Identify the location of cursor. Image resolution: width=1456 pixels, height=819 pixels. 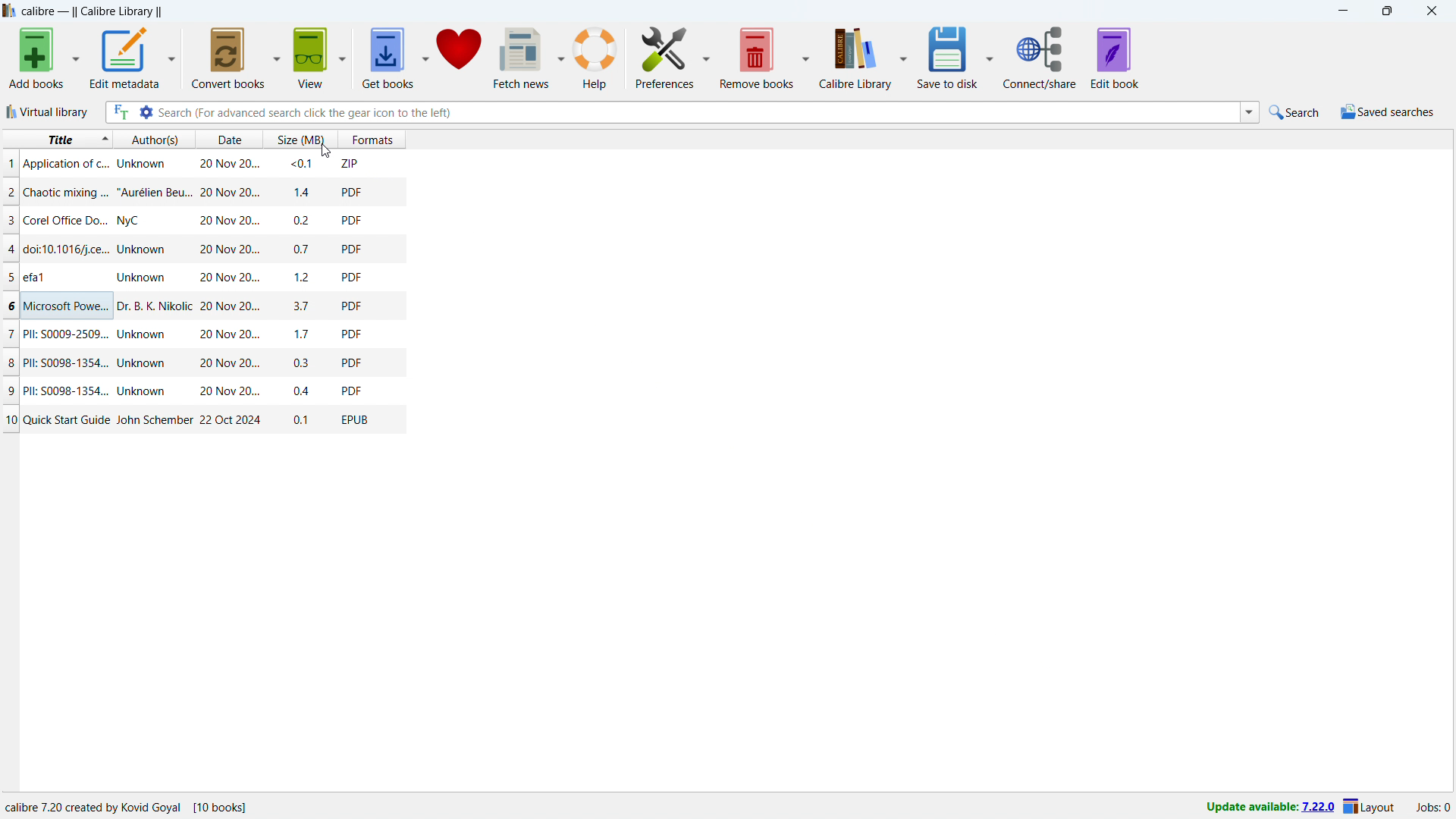
(313, 150).